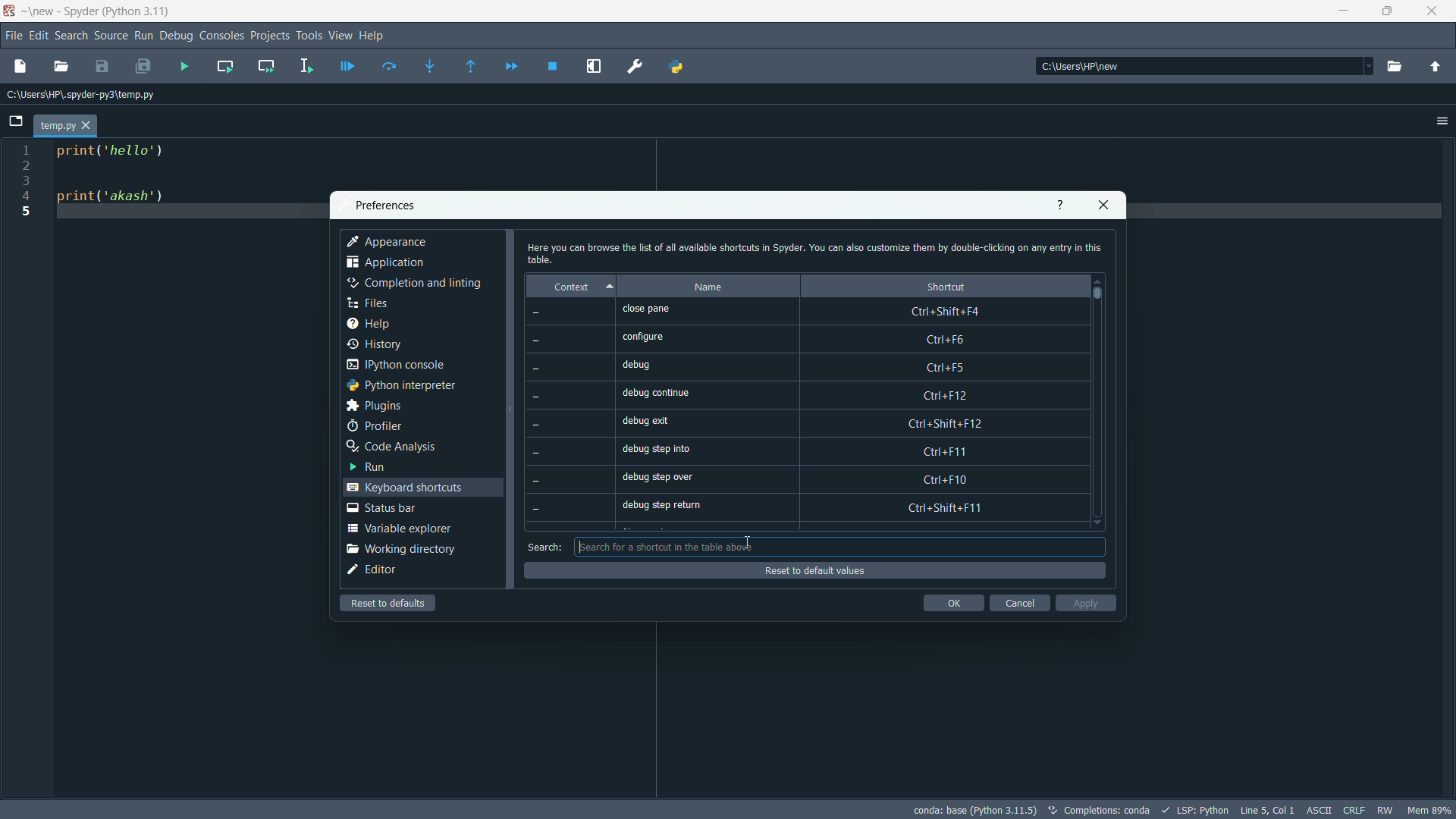 The width and height of the screenshot is (1456, 819). I want to click on vertical scroll bar, so click(1102, 401).